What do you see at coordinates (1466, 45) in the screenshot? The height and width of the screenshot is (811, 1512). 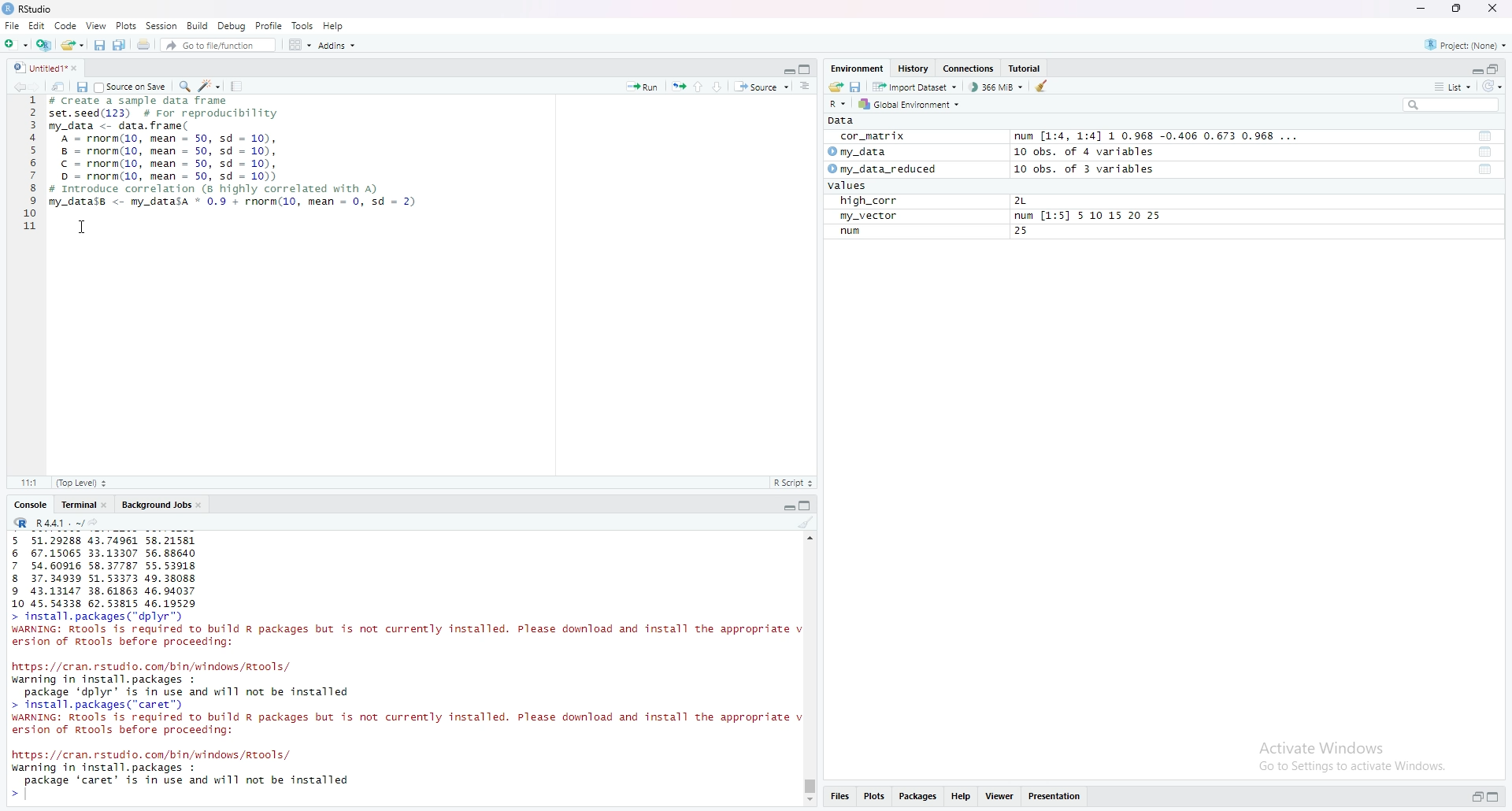 I see `Project: (None)` at bounding box center [1466, 45].